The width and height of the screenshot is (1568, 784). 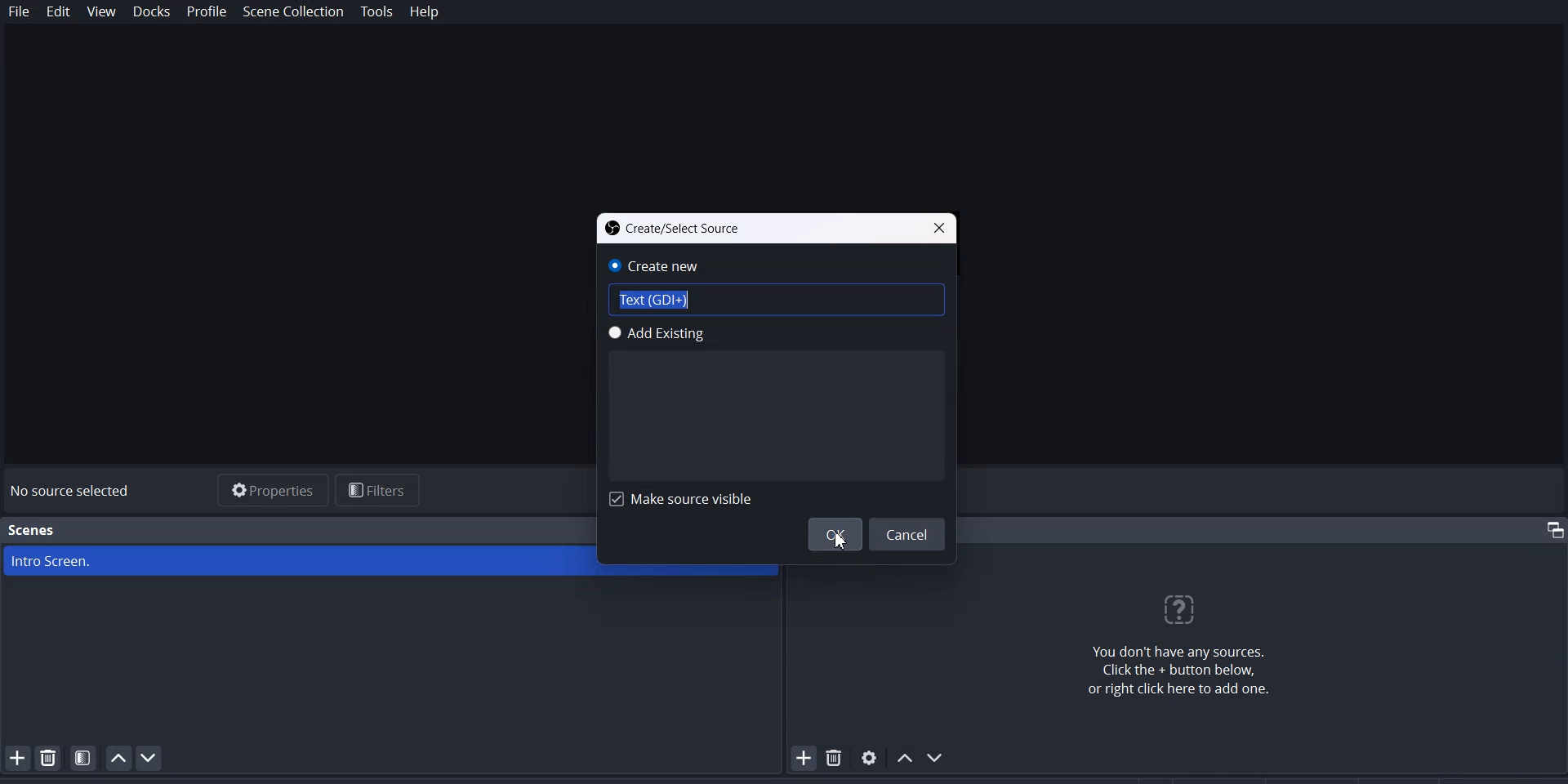 I want to click on Add Existing, so click(x=777, y=403).